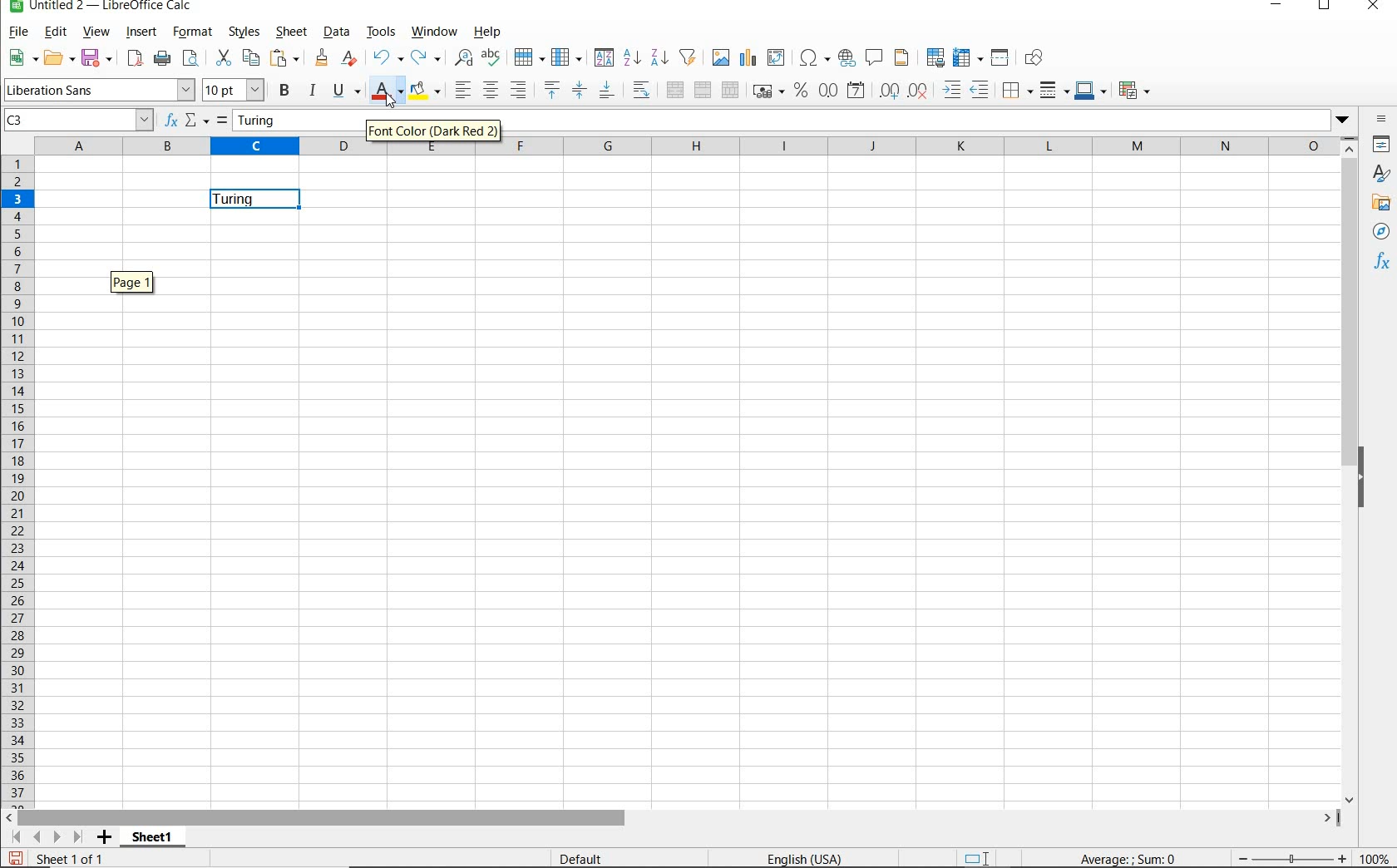  I want to click on FORMAT AS DATE, so click(856, 89).